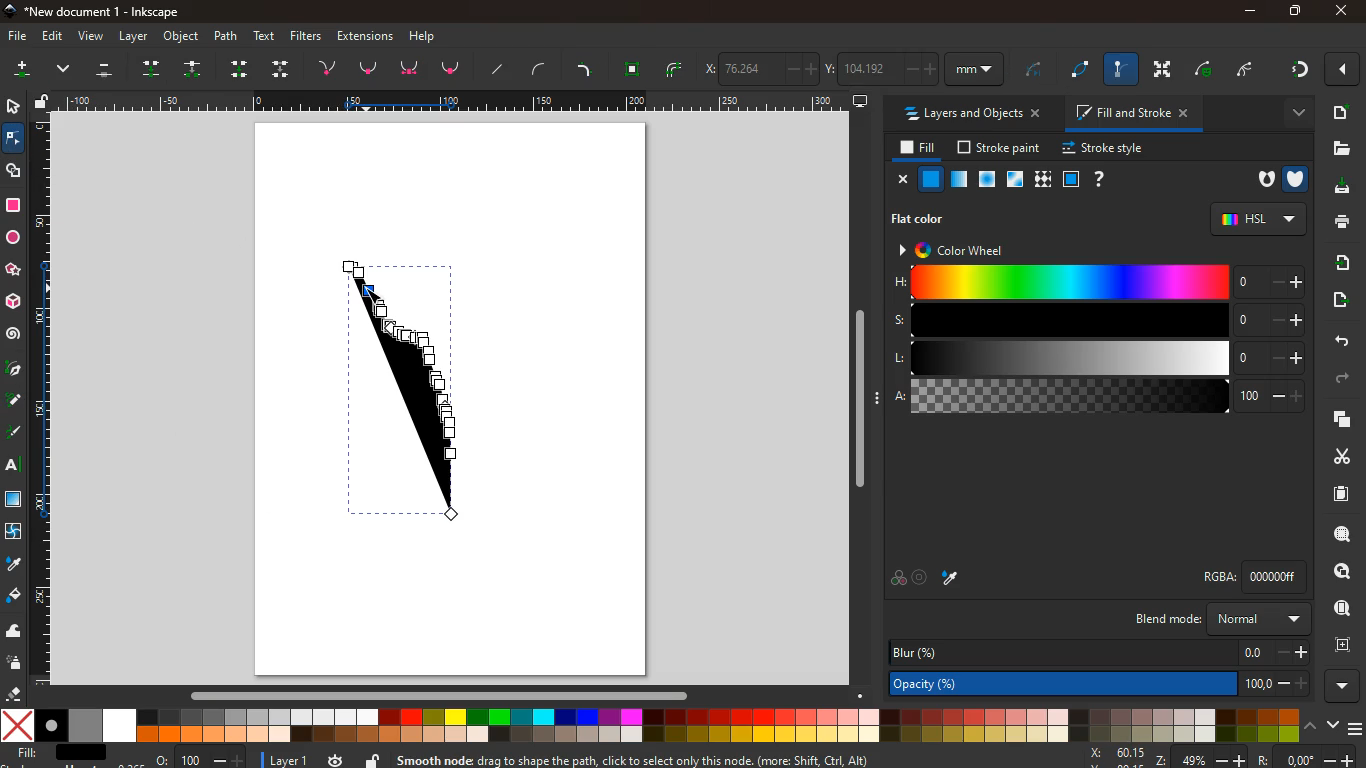 This screenshot has width=1366, height=768. What do you see at coordinates (15, 270) in the screenshot?
I see `star` at bounding box center [15, 270].